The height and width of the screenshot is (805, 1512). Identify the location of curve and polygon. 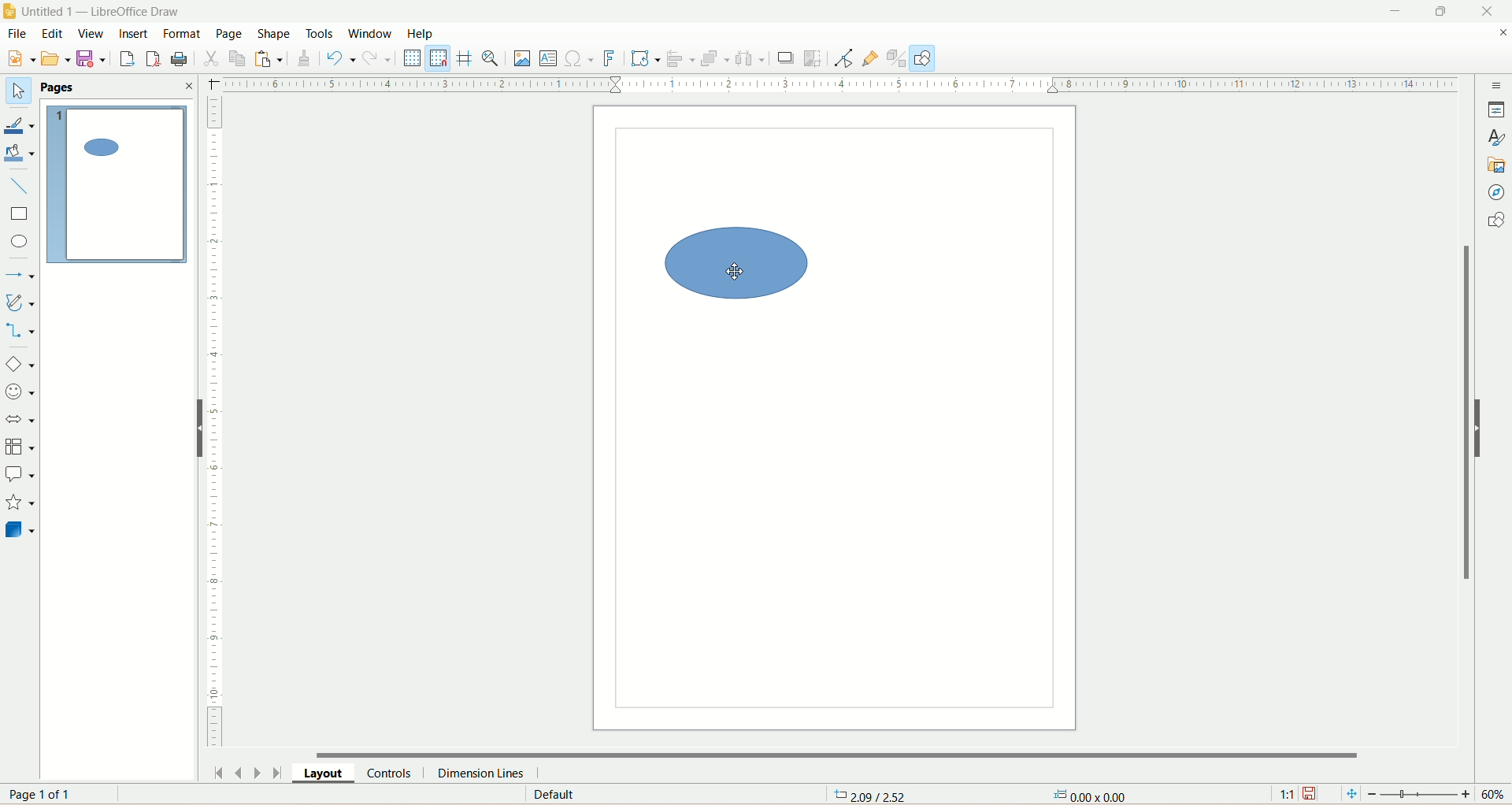
(20, 302).